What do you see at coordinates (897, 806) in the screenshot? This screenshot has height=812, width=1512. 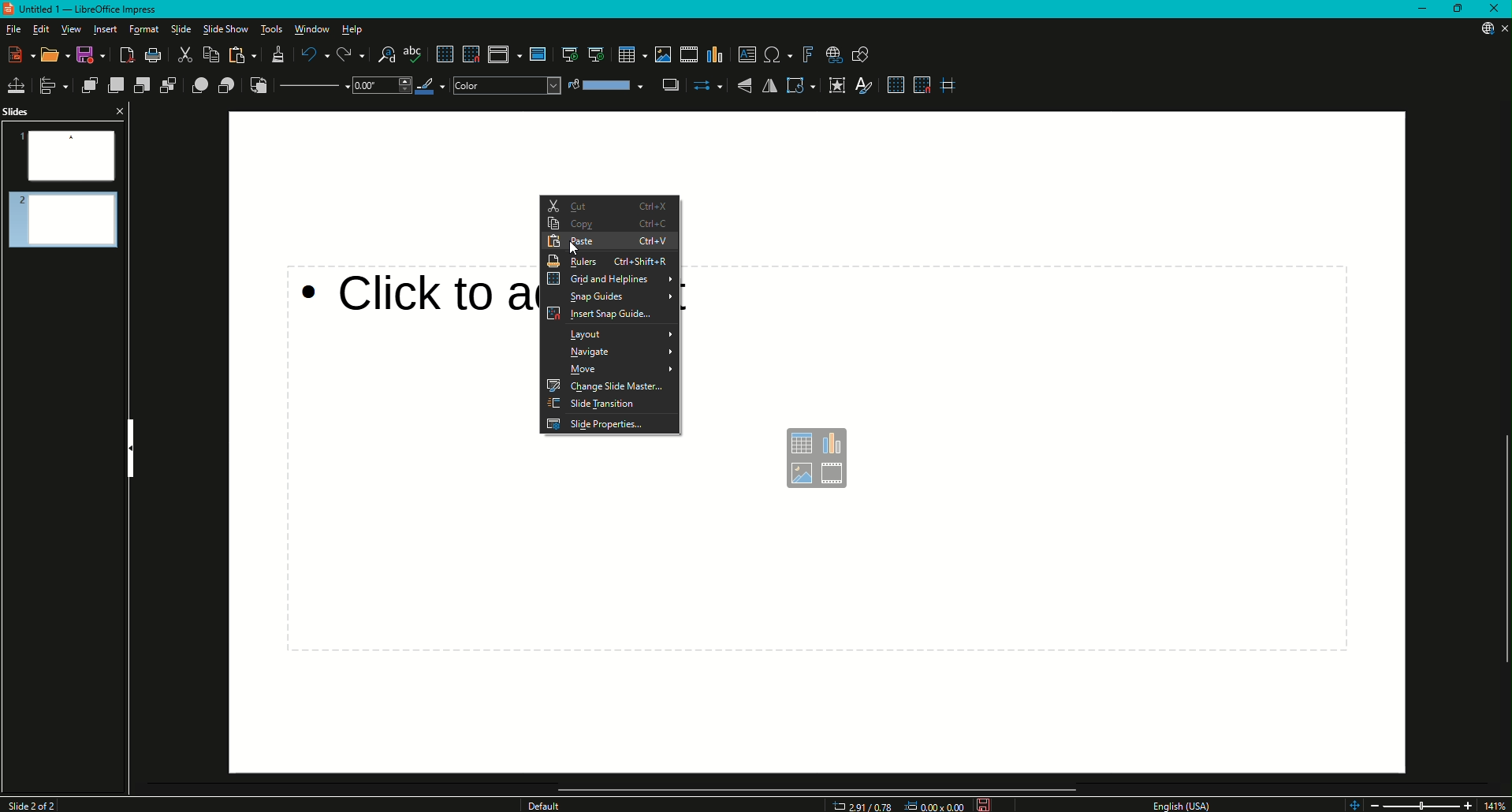 I see `Dimensions` at bounding box center [897, 806].